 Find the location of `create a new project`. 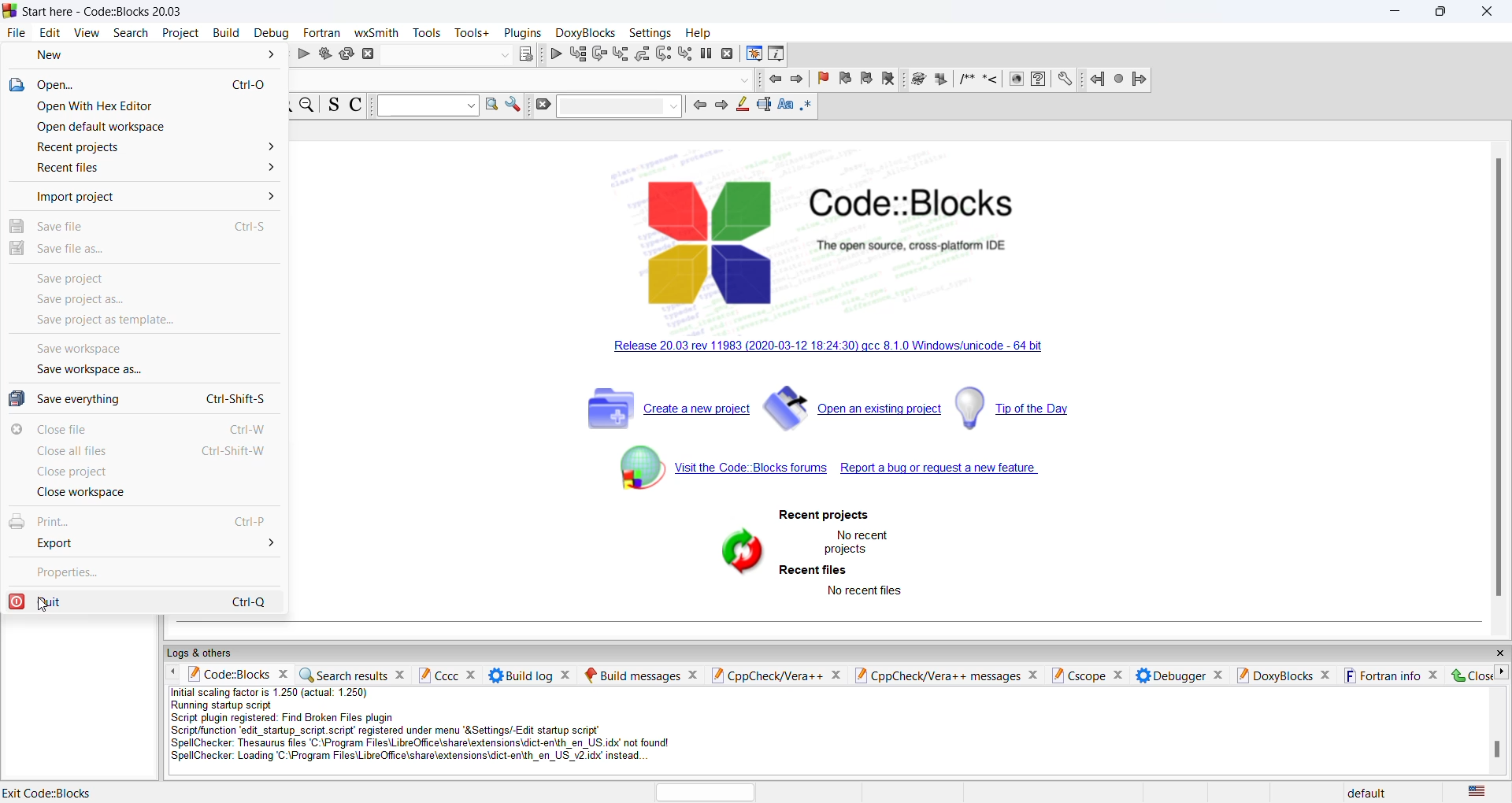

create a new project is located at coordinates (662, 409).